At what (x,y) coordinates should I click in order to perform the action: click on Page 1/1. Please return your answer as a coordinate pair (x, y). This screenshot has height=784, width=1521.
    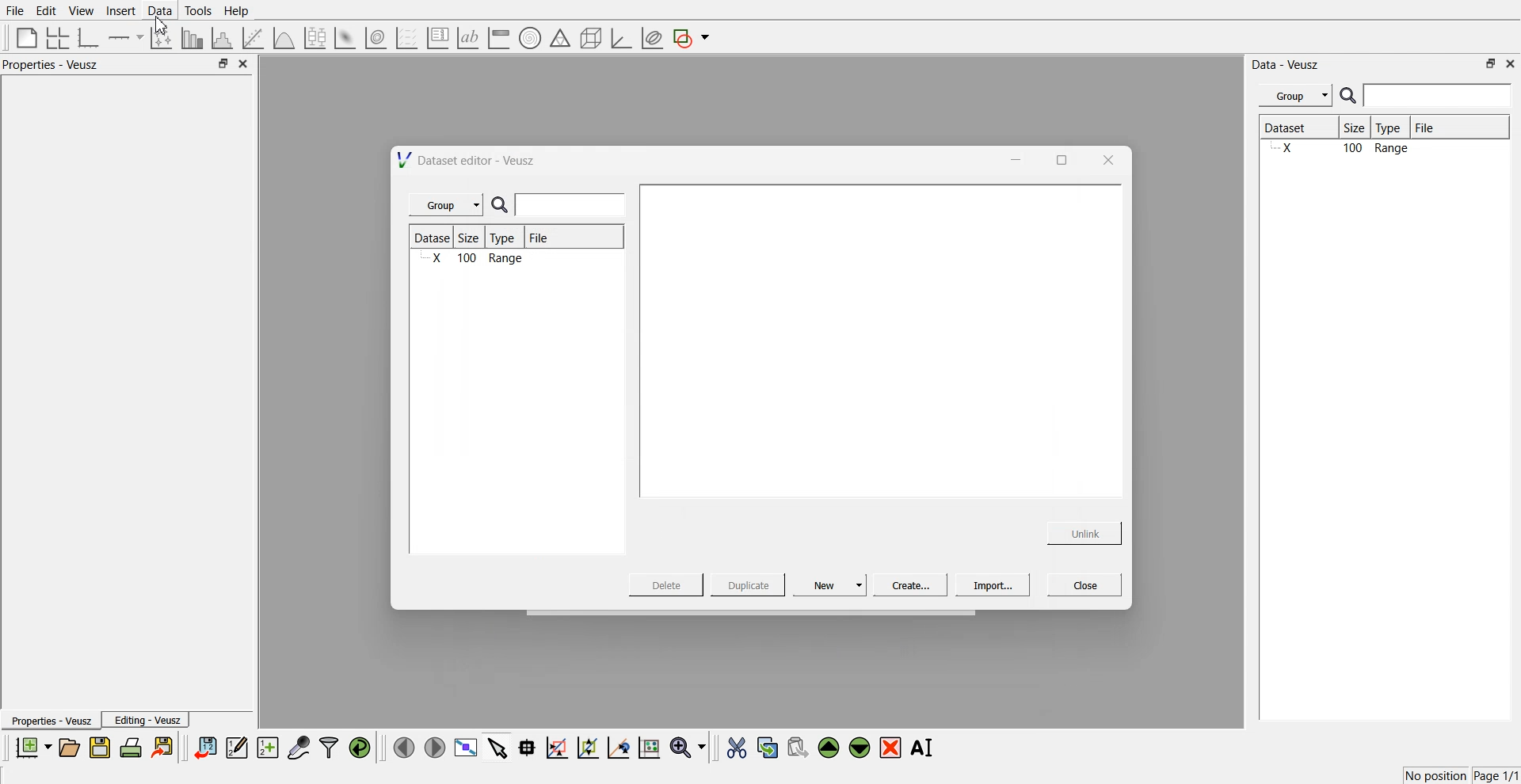
    Looking at the image, I should click on (1497, 776).